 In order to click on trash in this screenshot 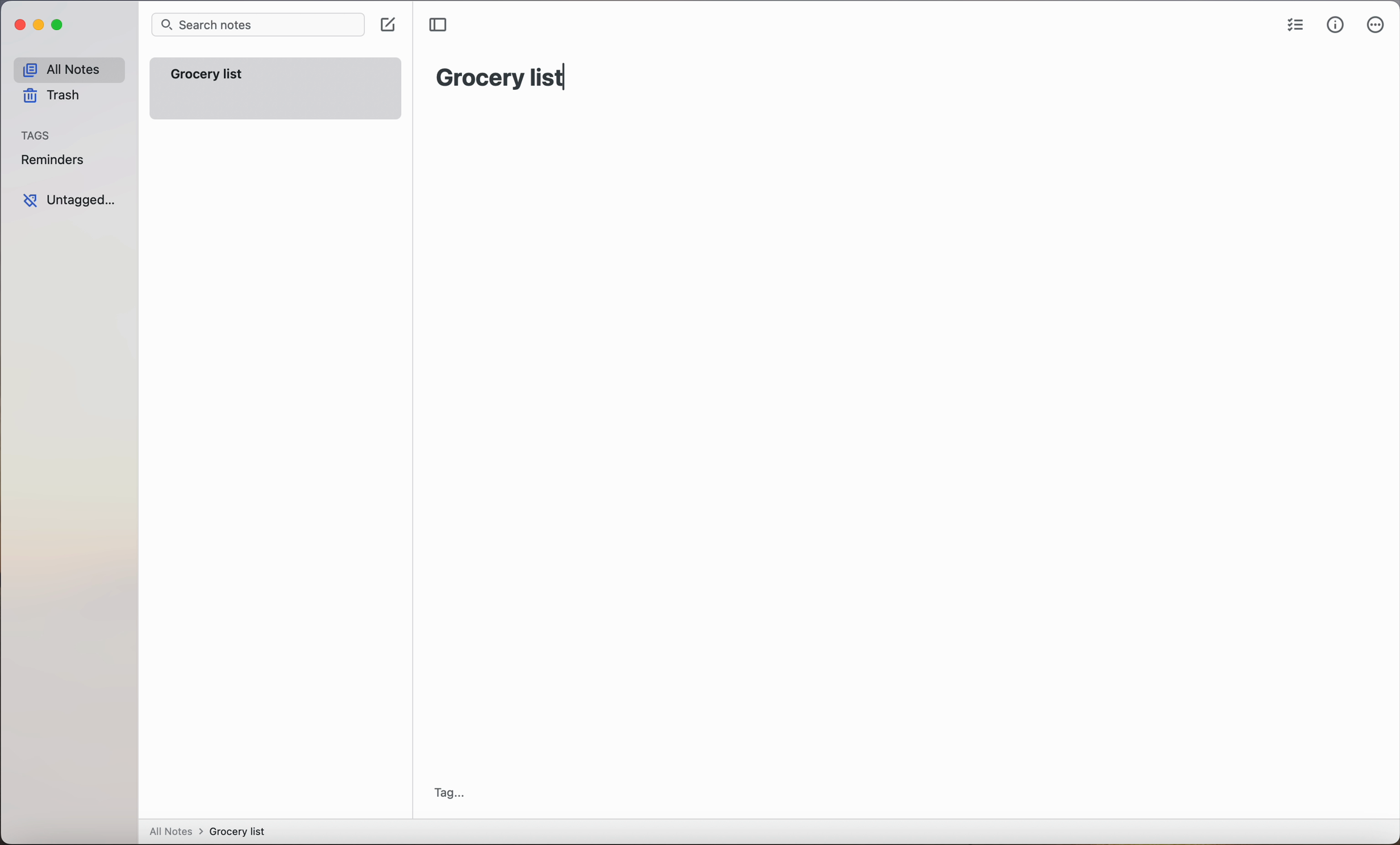, I will do `click(50, 98)`.